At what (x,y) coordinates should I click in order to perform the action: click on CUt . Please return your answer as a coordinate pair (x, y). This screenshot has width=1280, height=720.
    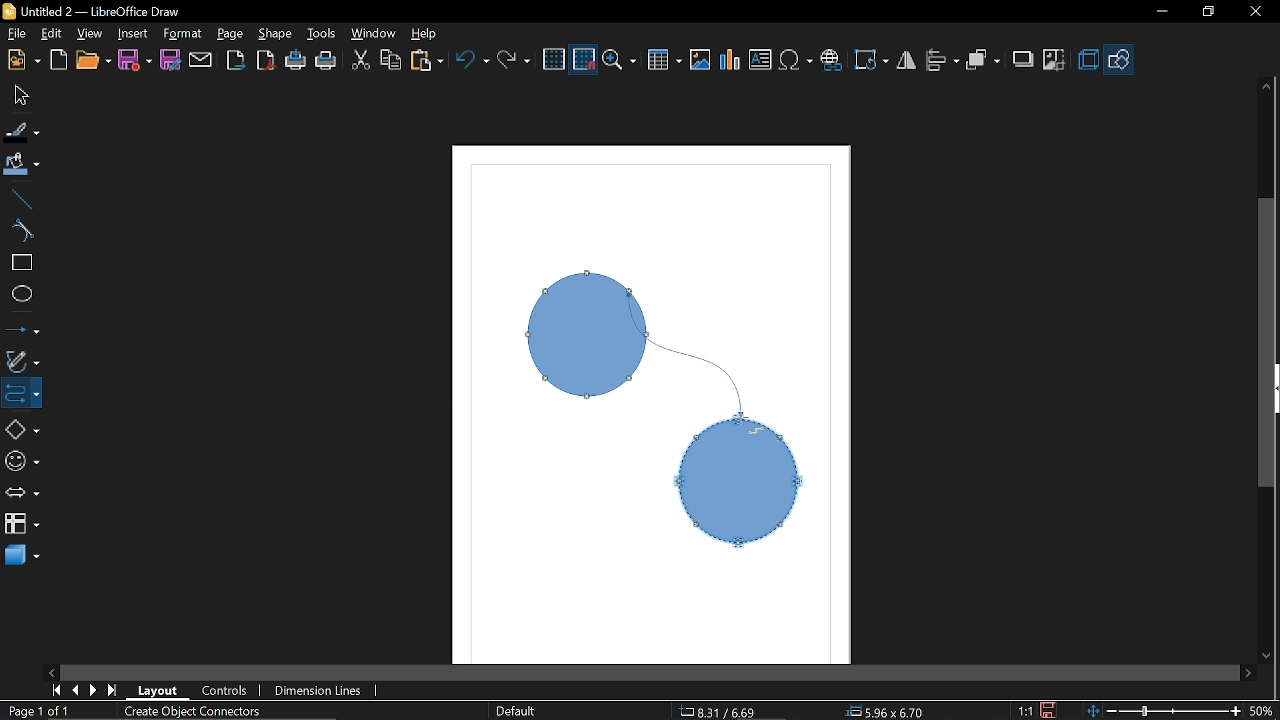
    Looking at the image, I should click on (361, 60).